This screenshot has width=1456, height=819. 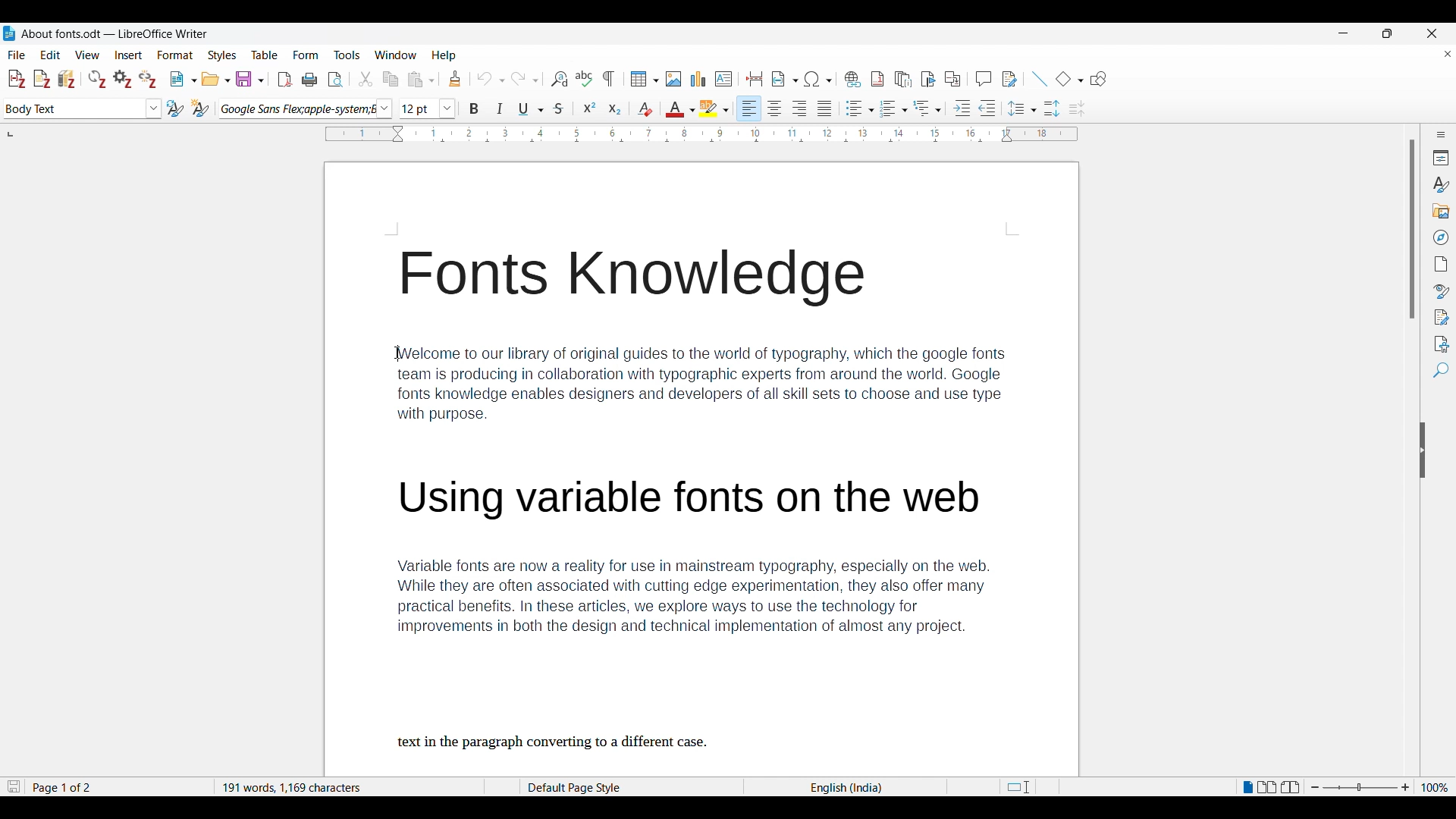 I want to click on Text color options, so click(x=681, y=108).